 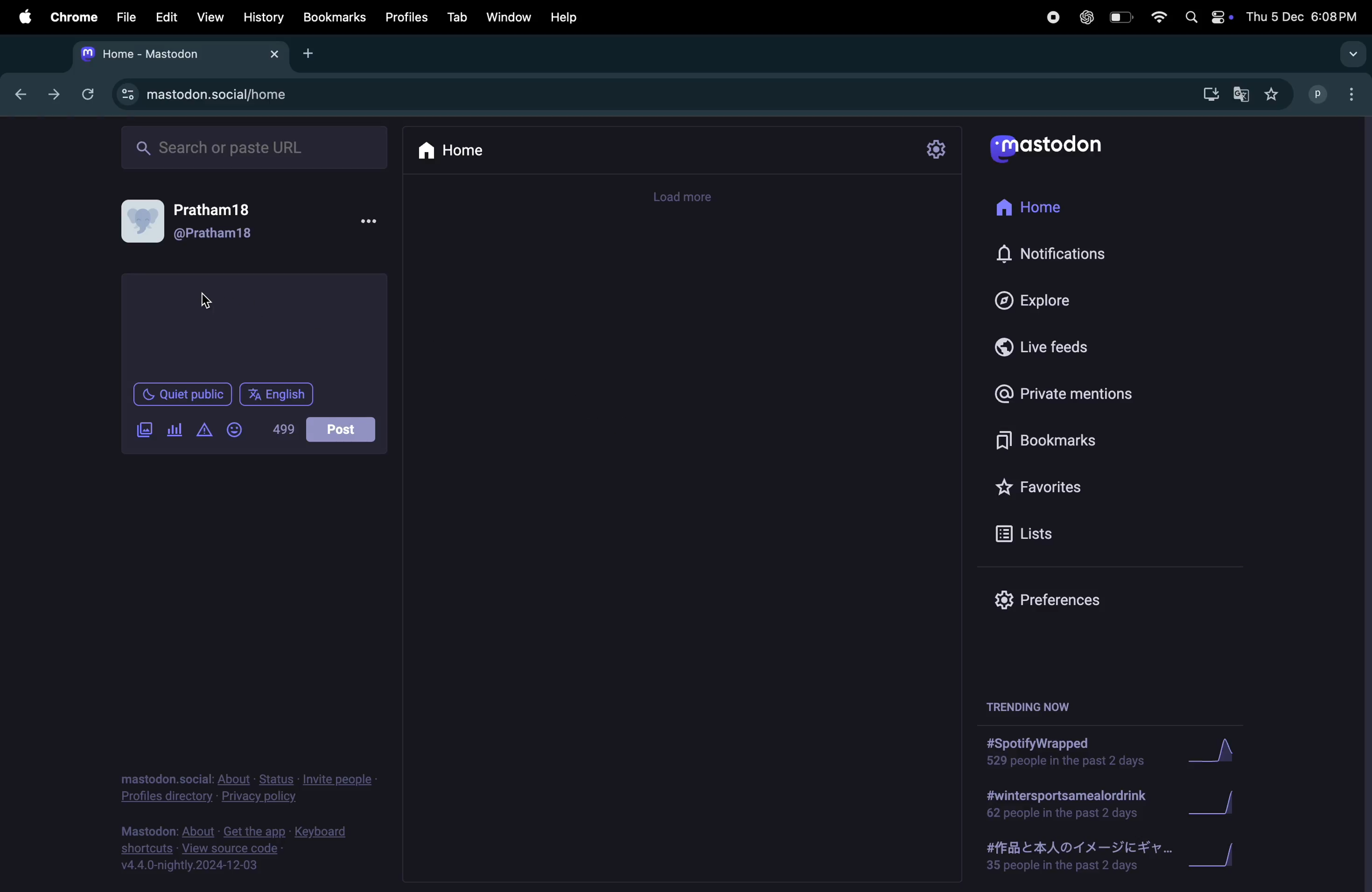 I want to click on chatgpt, so click(x=1085, y=20).